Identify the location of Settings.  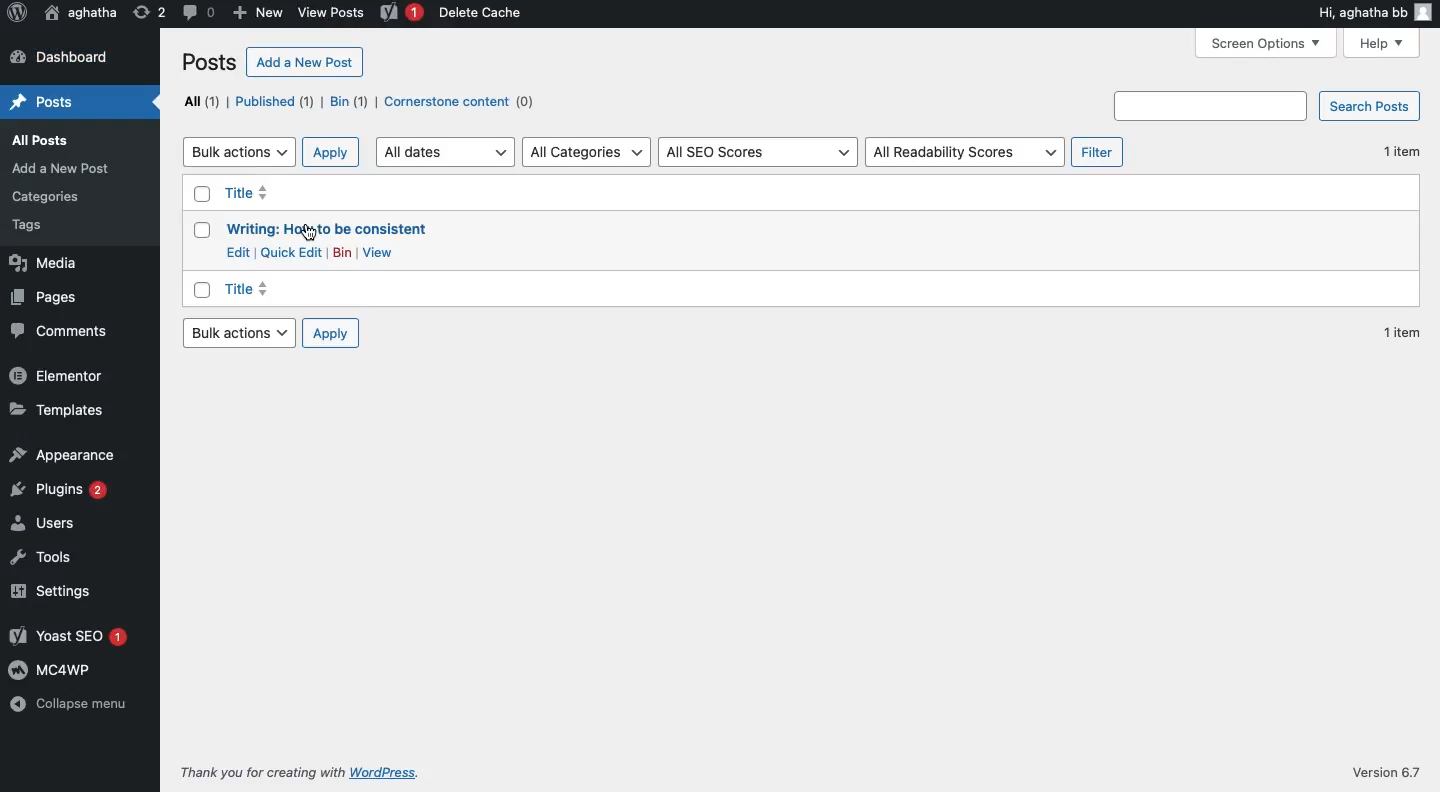
(52, 593).